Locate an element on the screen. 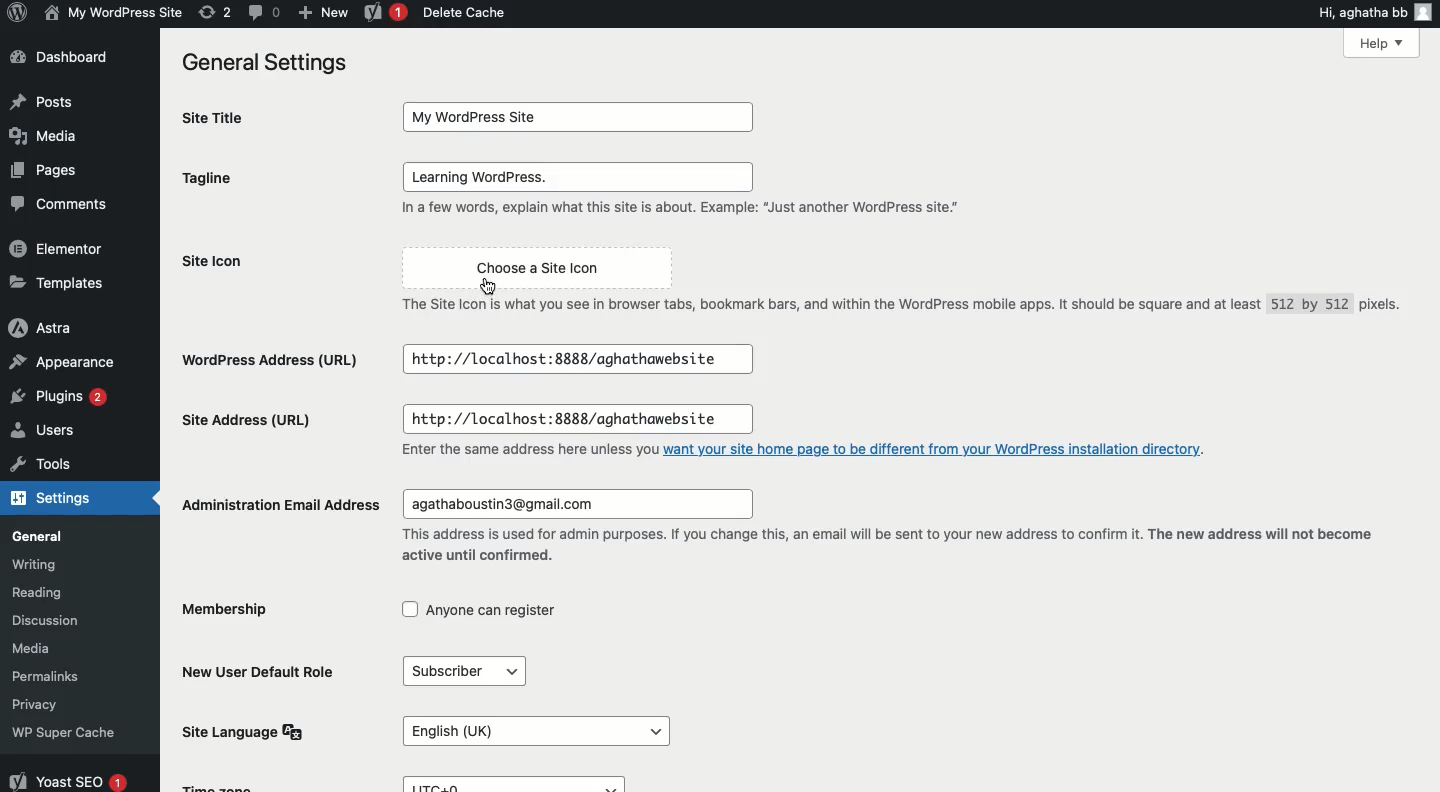 This screenshot has width=1440, height=792. Appearance is located at coordinates (61, 362).